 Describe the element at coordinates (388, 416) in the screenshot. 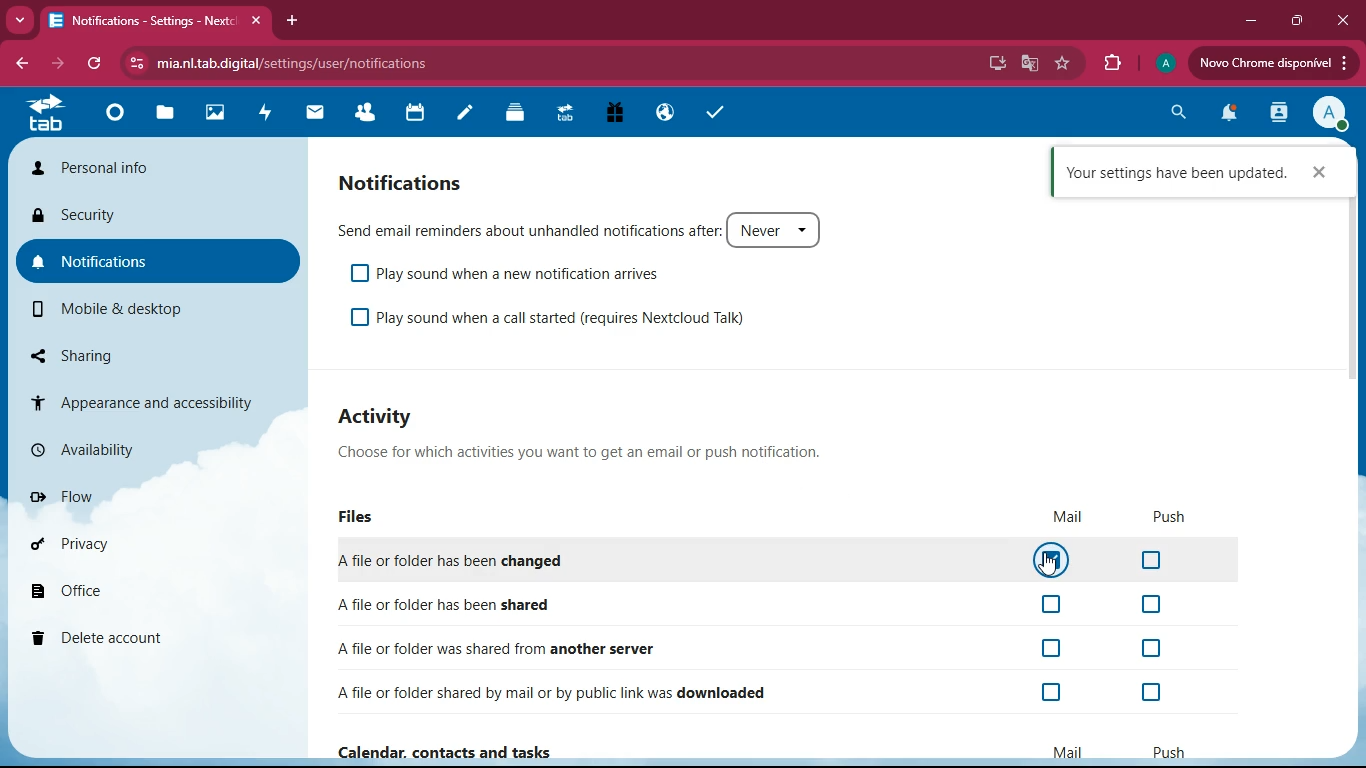

I see `activity` at that location.